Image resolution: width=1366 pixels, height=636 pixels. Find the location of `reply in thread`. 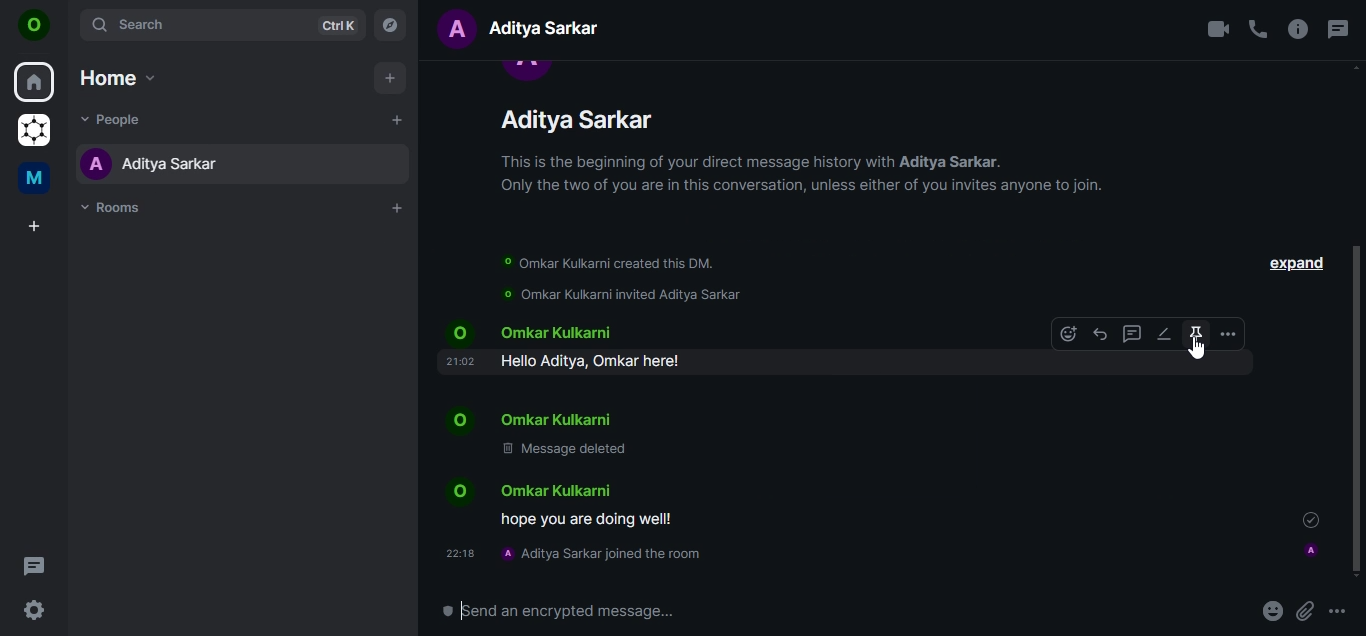

reply in thread is located at coordinates (1130, 334).